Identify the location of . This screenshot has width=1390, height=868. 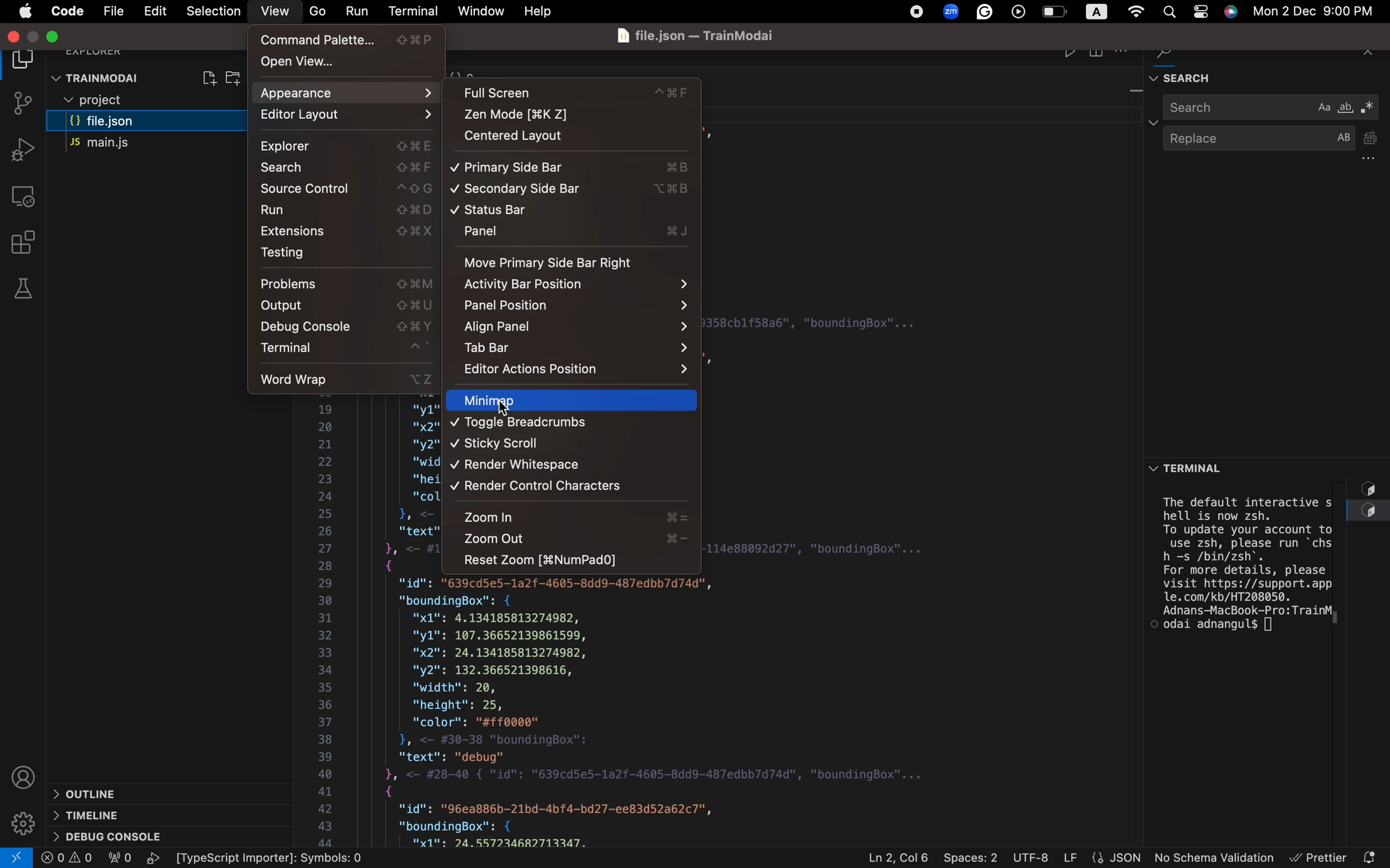
(343, 305).